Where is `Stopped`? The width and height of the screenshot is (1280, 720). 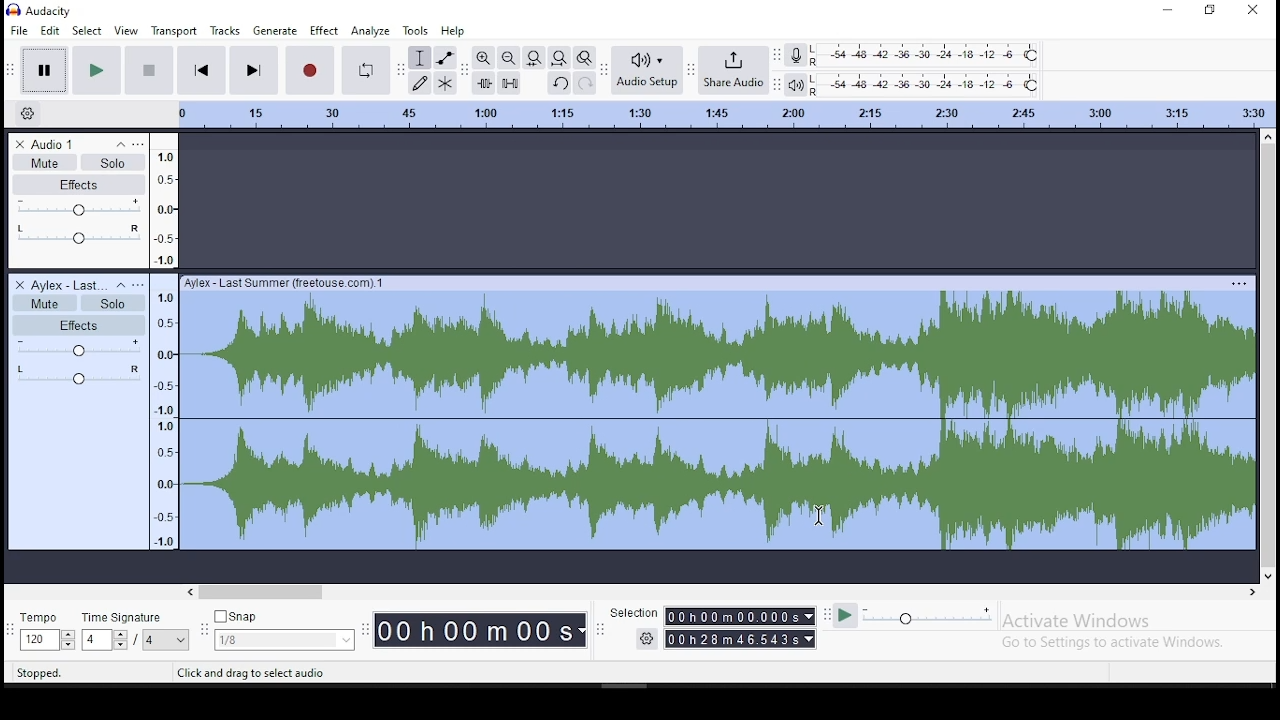
Stopped is located at coordinates (39, 674).